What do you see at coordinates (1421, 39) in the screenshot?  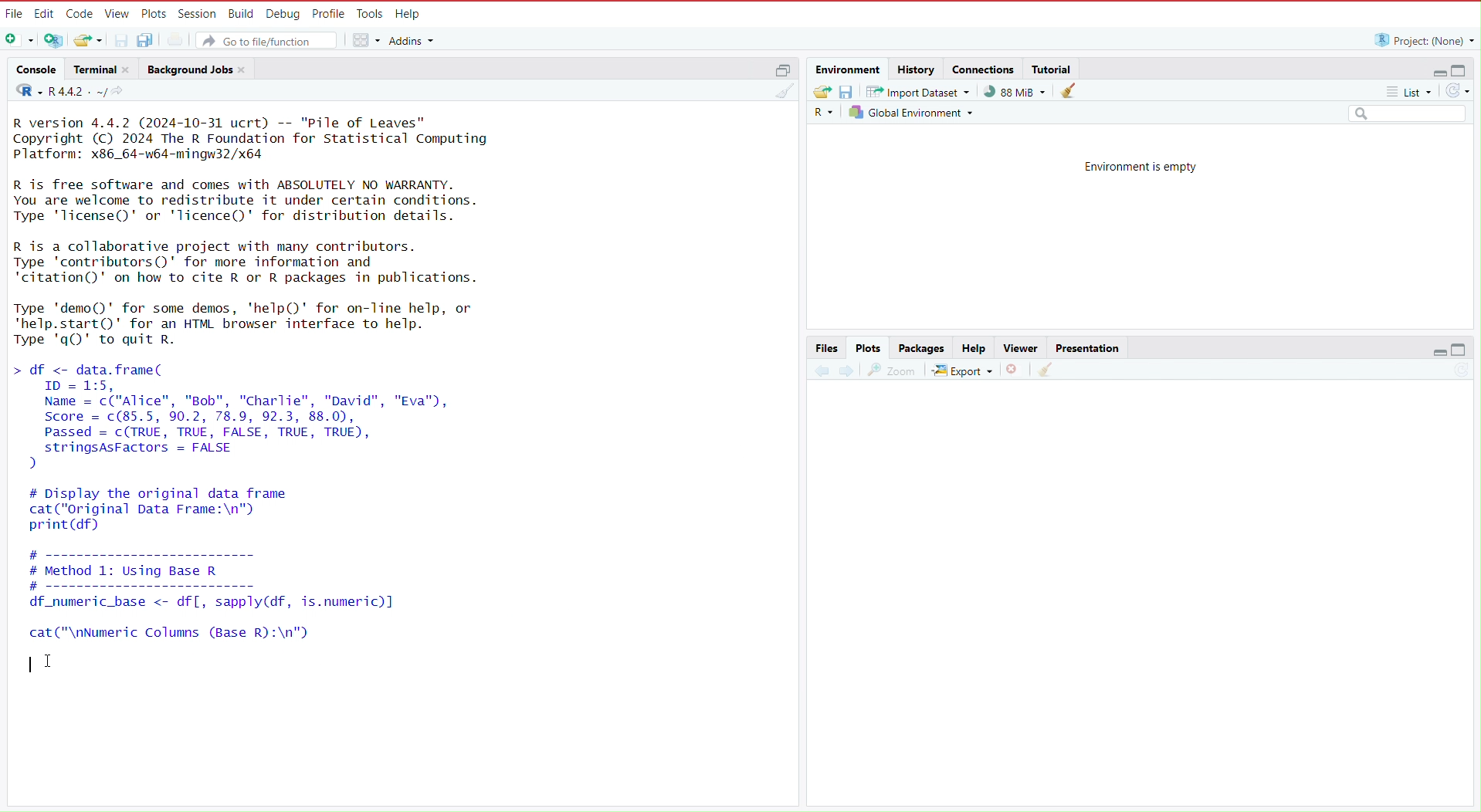 I see `Project: (None)` at bounding box center [1421, 39].